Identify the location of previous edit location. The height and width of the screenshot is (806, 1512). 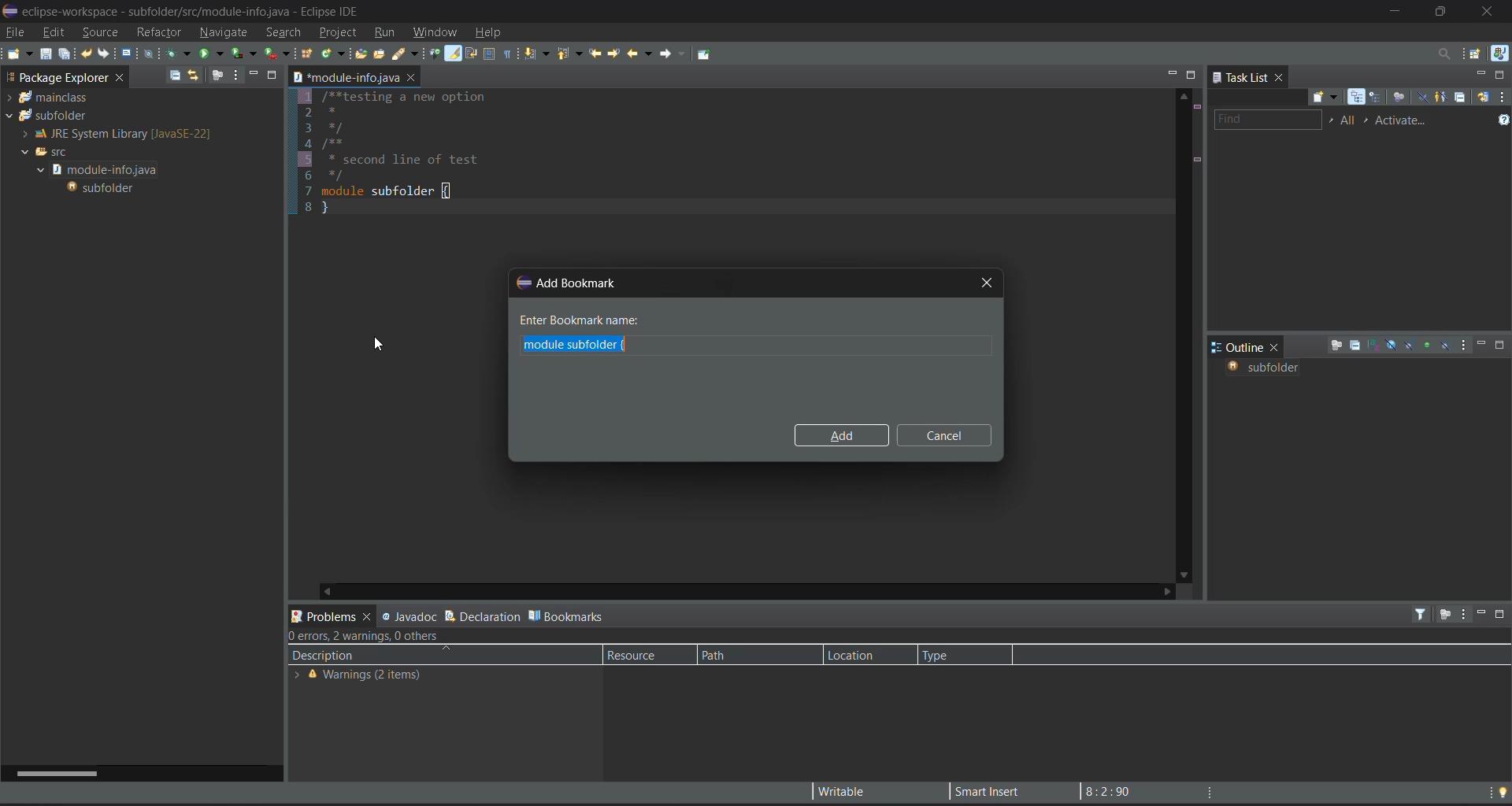
(596, 54).